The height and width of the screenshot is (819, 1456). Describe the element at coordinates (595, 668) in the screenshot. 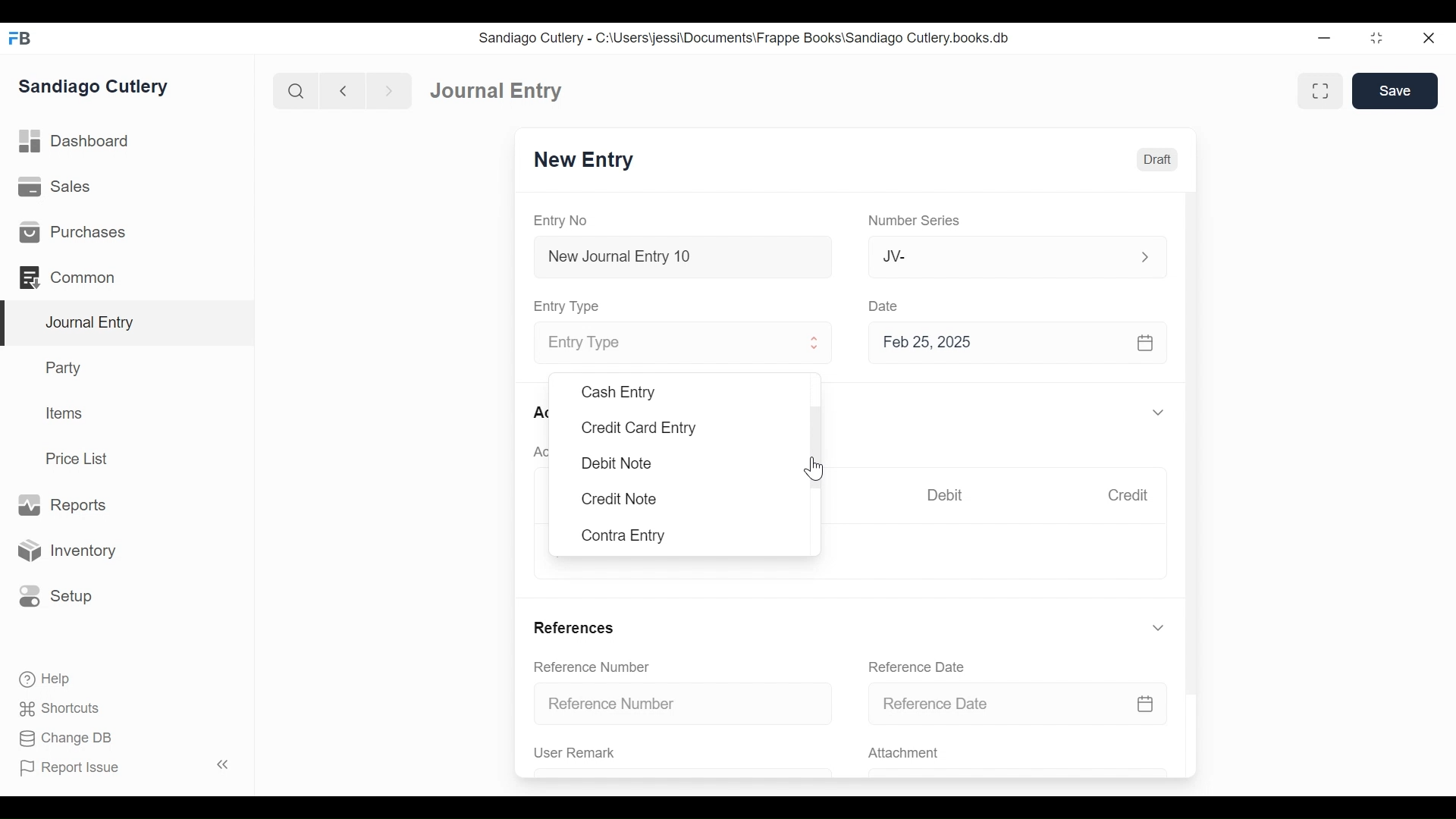

I see `Reference Number` at that location.